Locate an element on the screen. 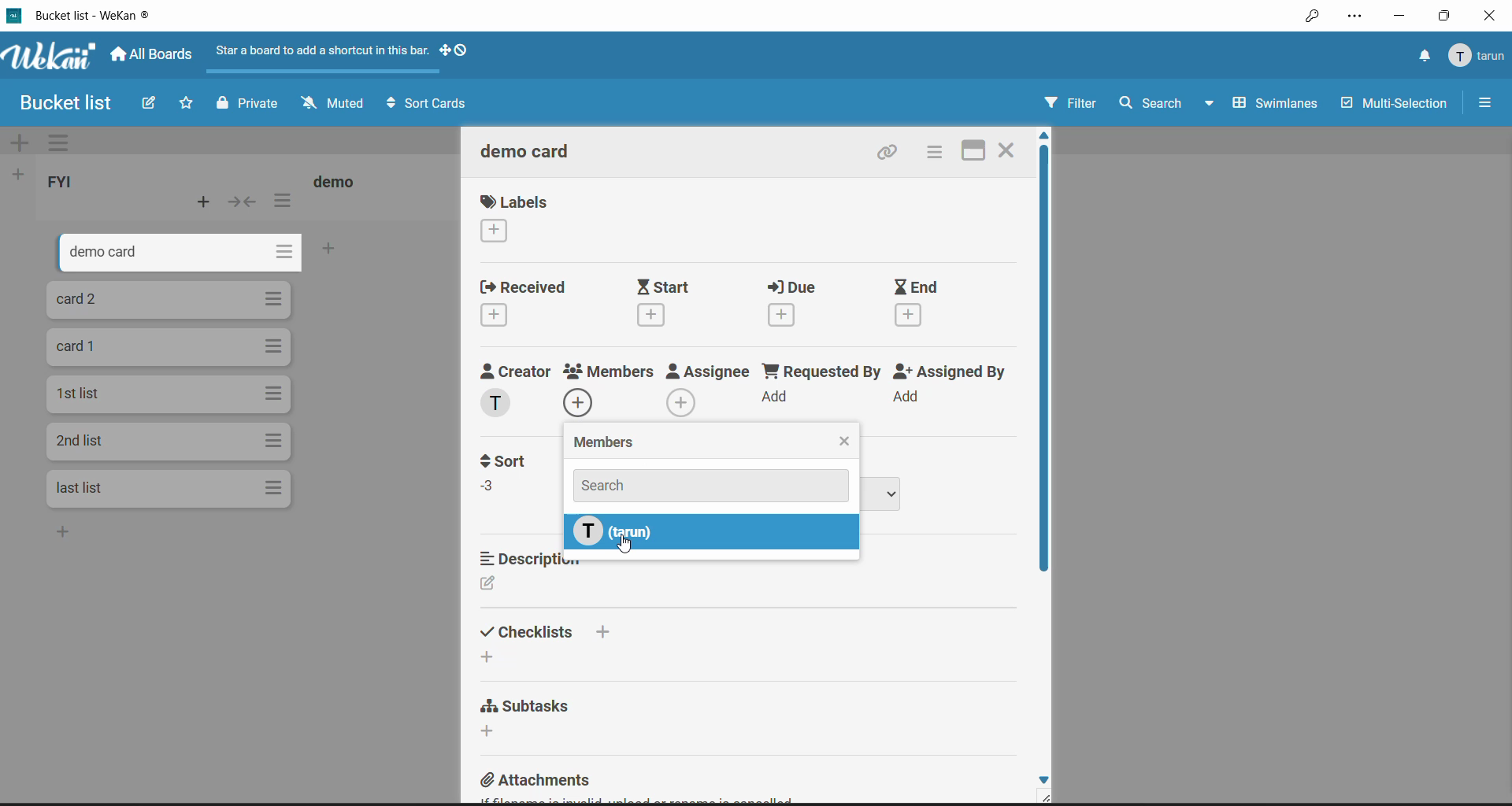 The image size is (1512, 806). minimize is located at coordinates (1395, 16).